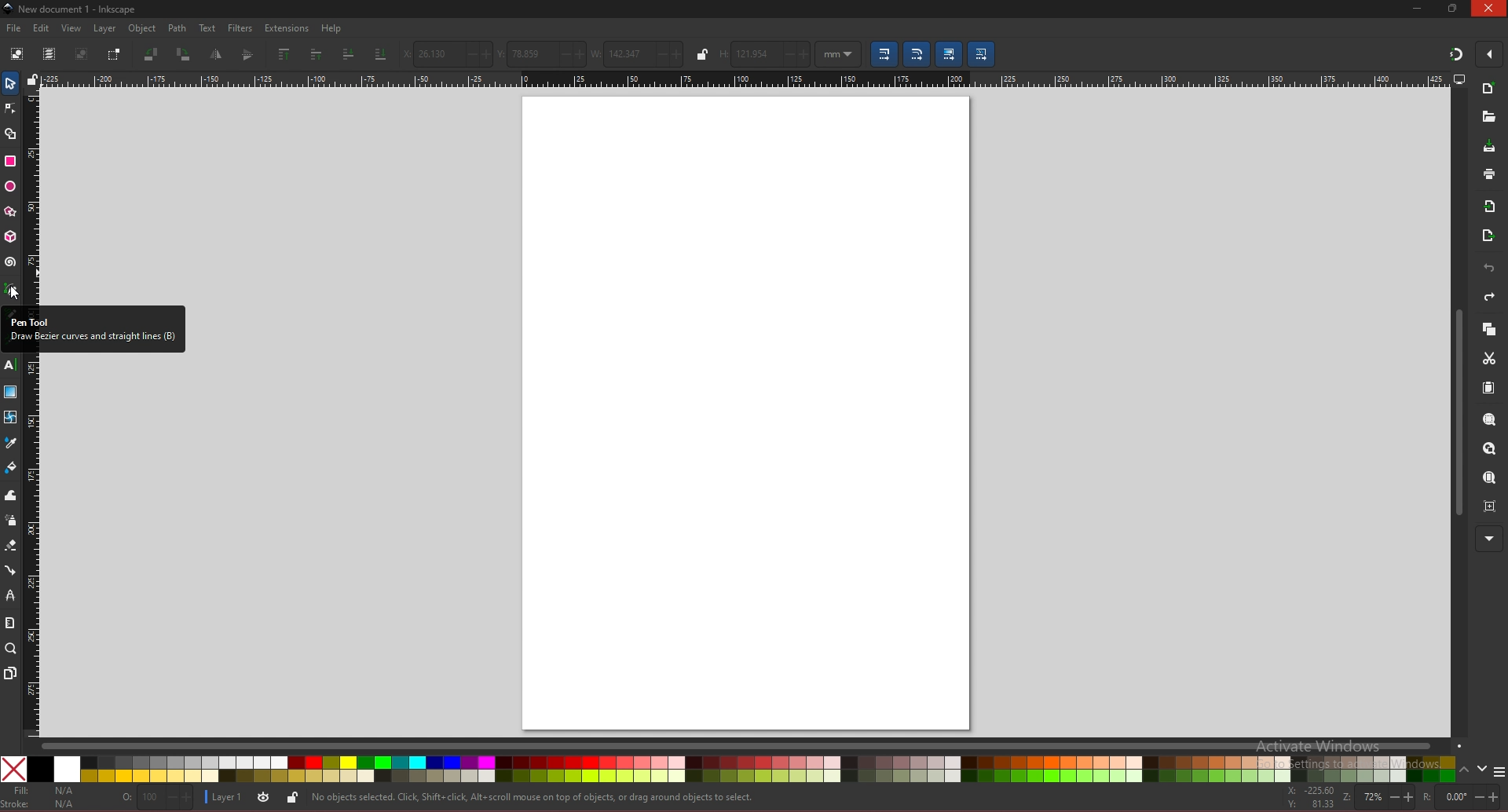  I want to click on zoom, so click(11, 648).